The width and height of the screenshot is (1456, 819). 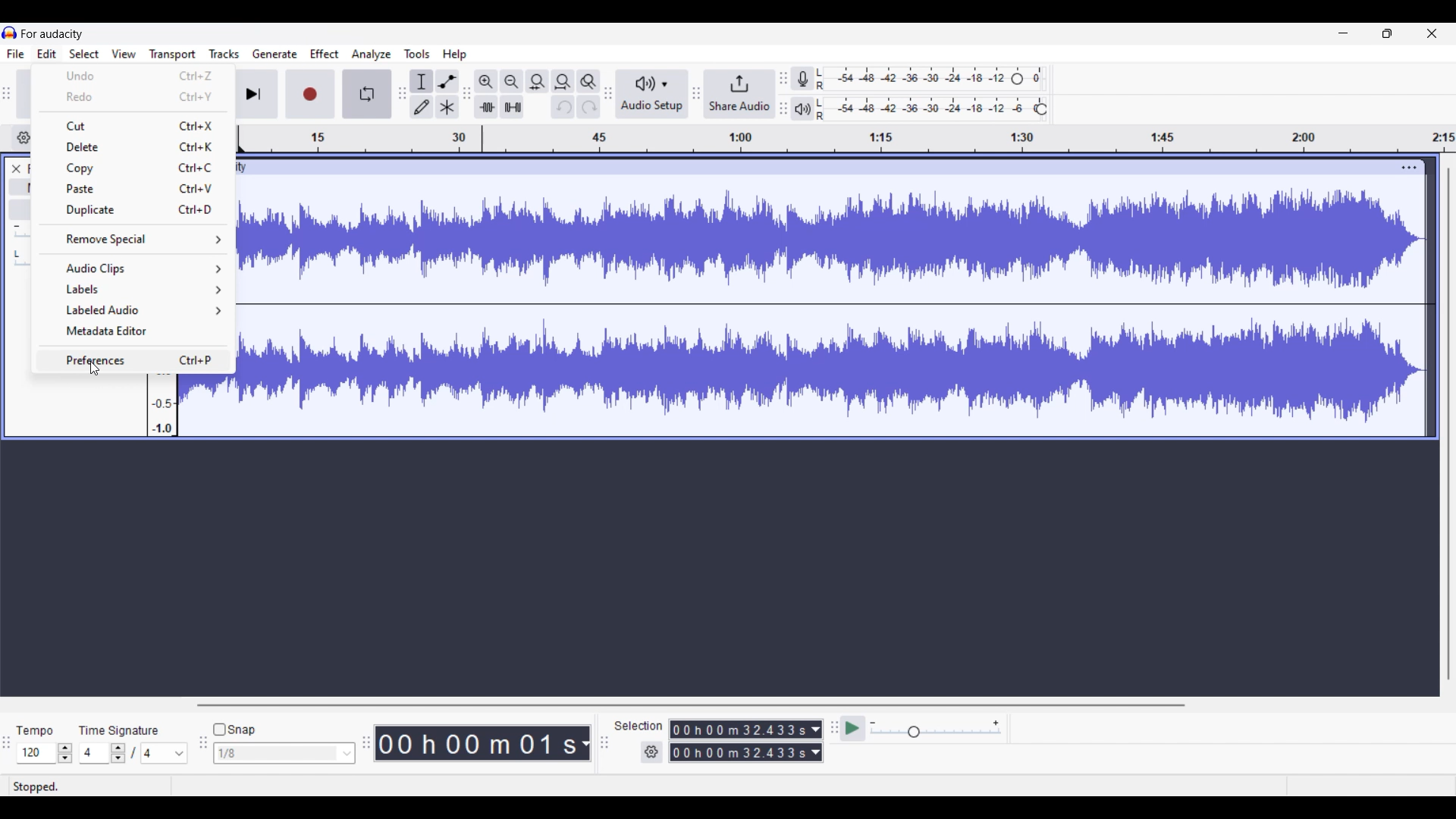 I want to click on Play at speed/Play at speed once, so click(x=853, y=729).